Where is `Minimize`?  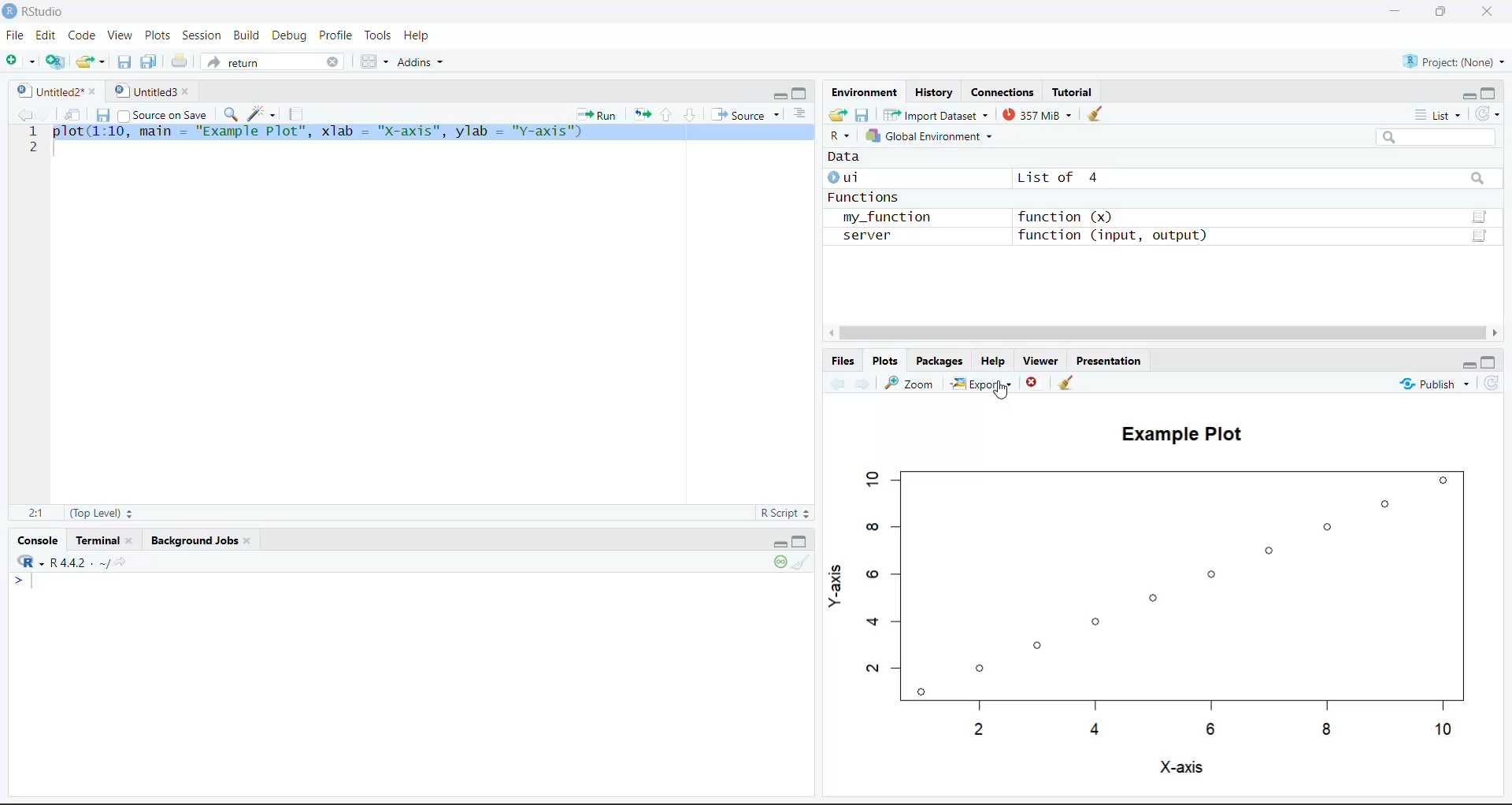
Minimize is located at coordinates (1395, 12).